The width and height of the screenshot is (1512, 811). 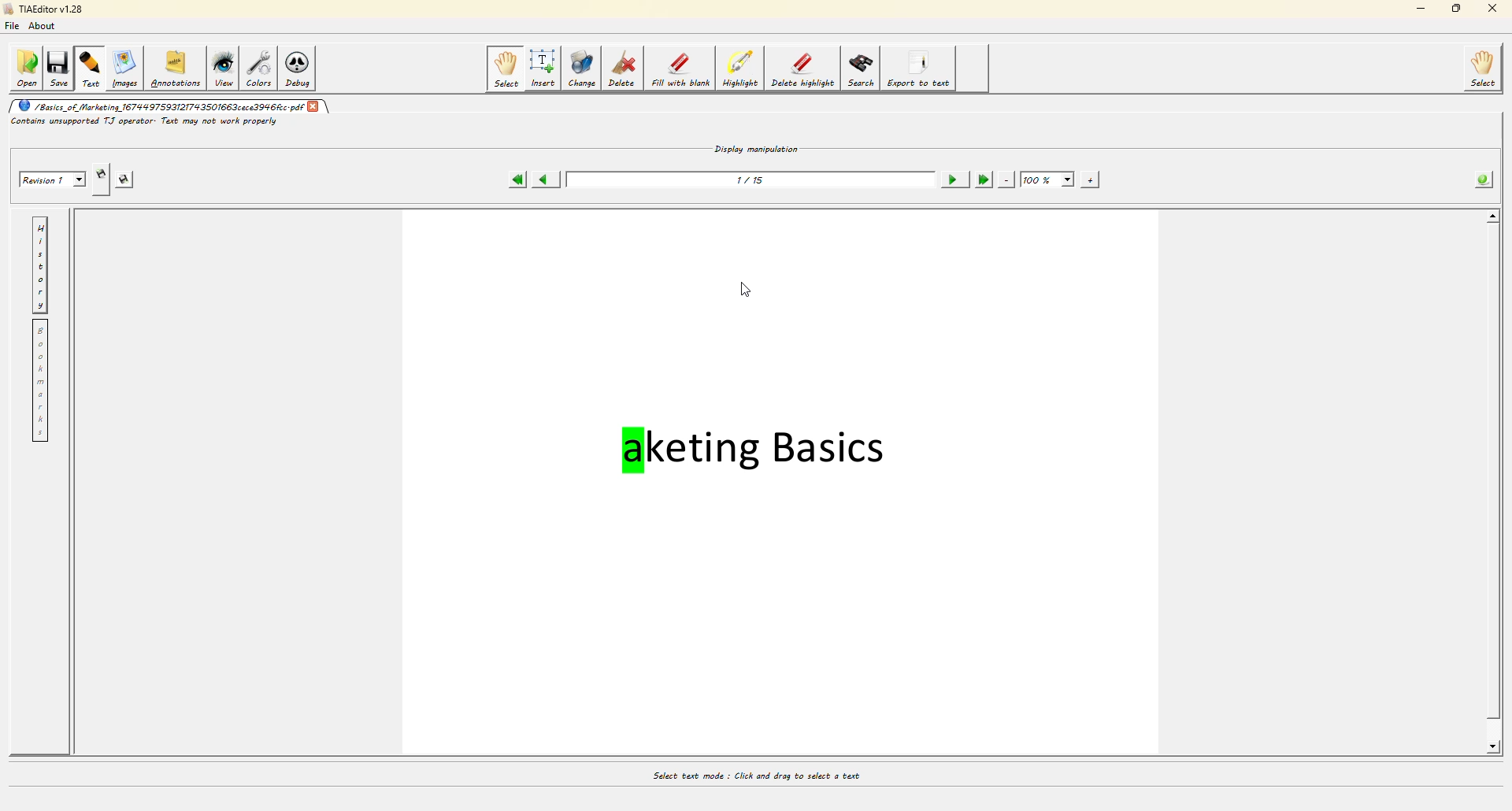 What do you see at coordinates (1492, 473) in the screenshot?
I see `scroll bar` at bounding box center [1492, 473].